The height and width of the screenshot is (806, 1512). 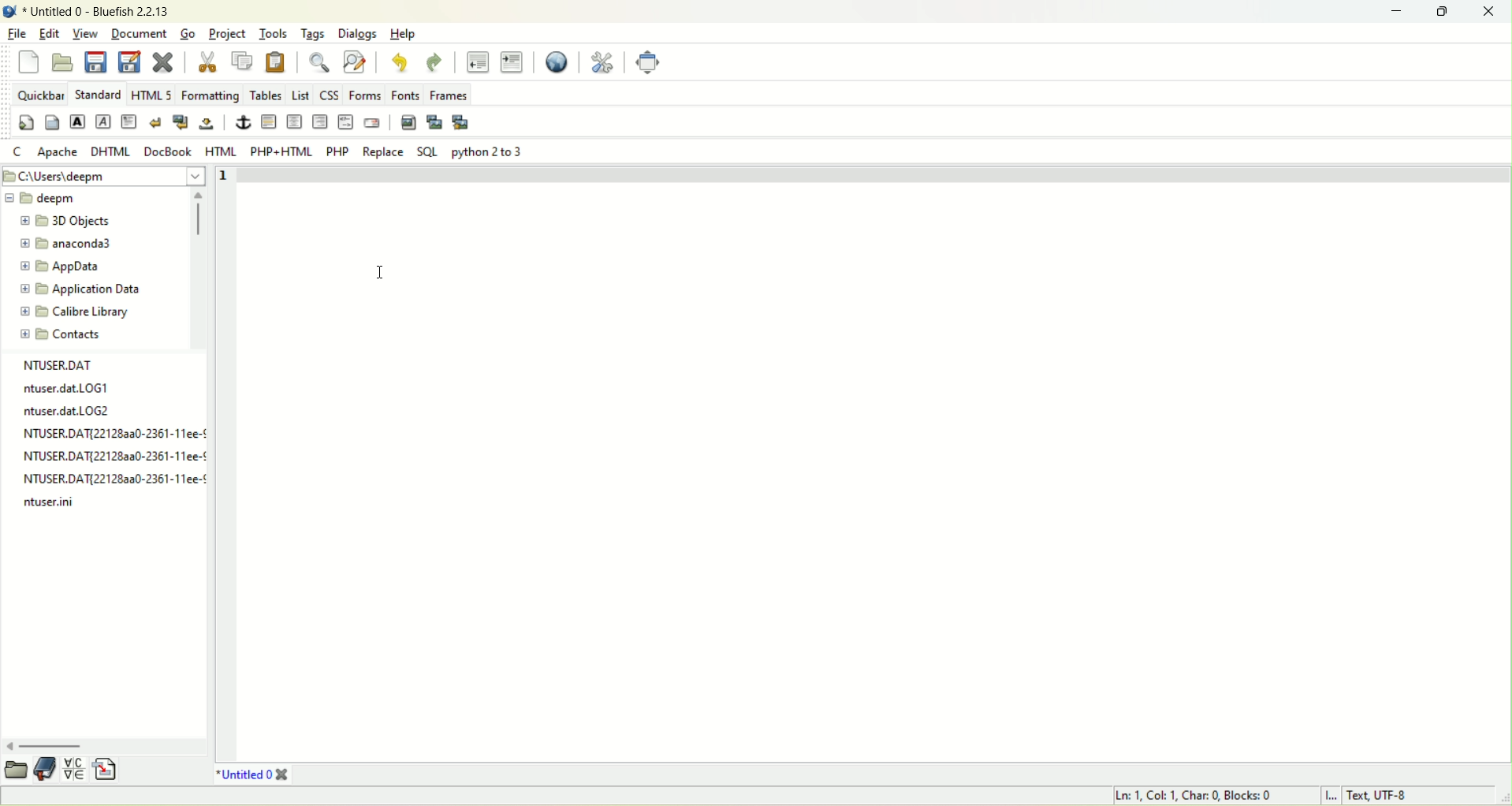 What do you see at coordinates (71, 244) in the screenshot?
I see `folder name` at bounding box center [71, 244].